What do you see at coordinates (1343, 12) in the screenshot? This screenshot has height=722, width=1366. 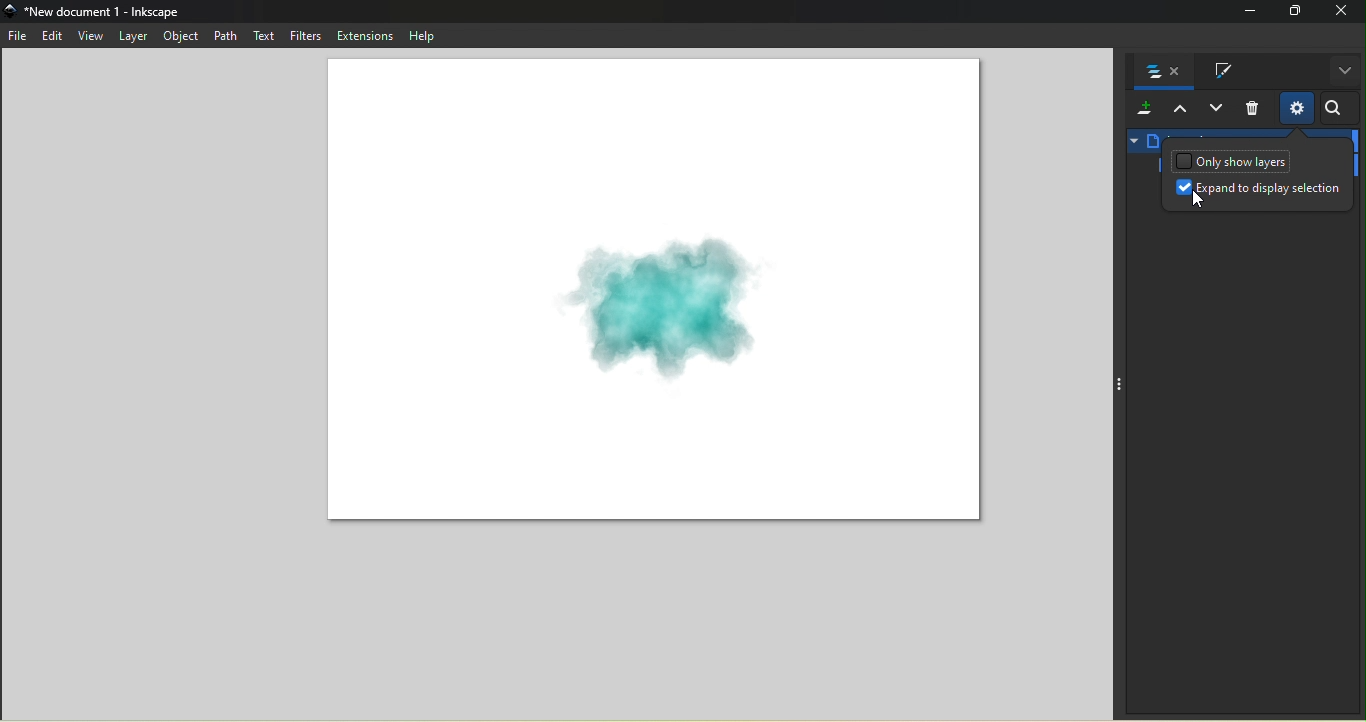 I see `Close` at bounding box center [1343, 12].